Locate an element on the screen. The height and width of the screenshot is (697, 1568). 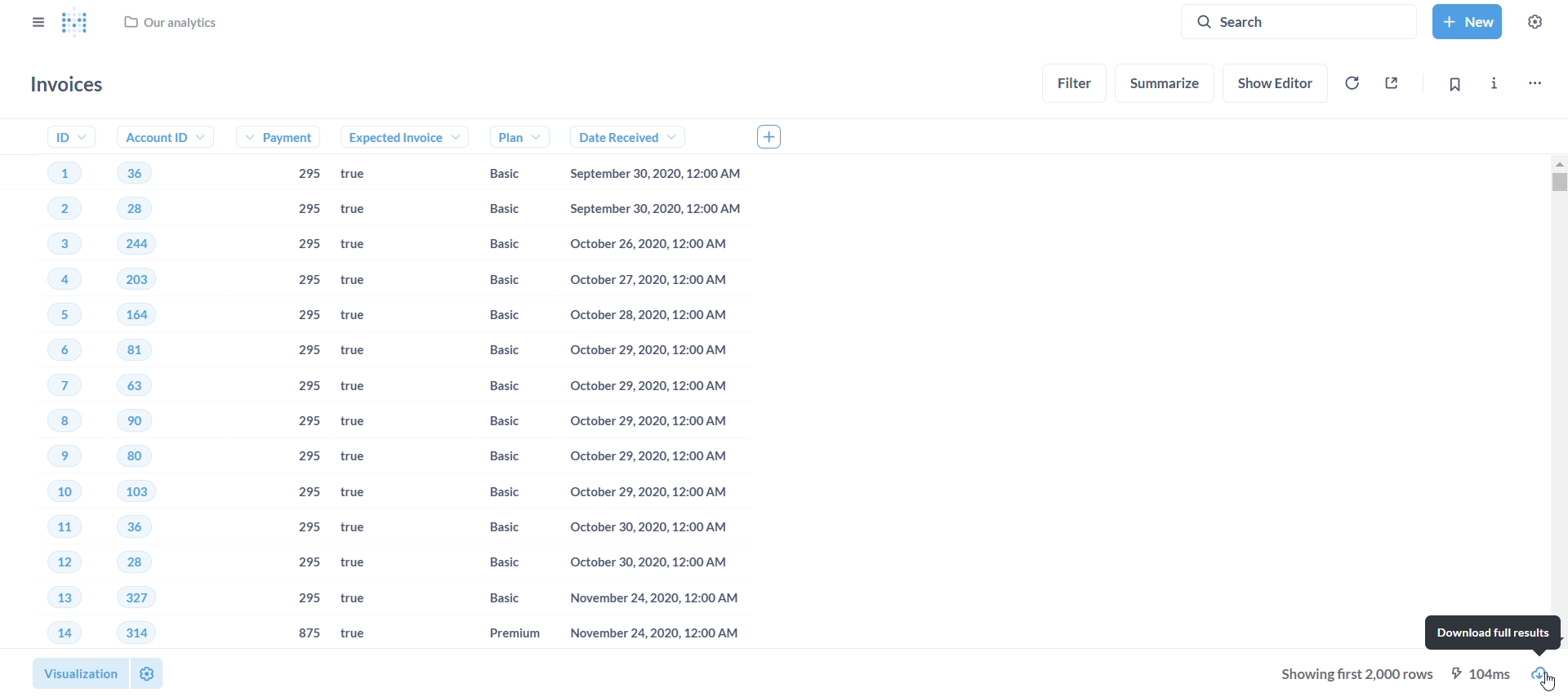
true is located at coordinates (365, 349).